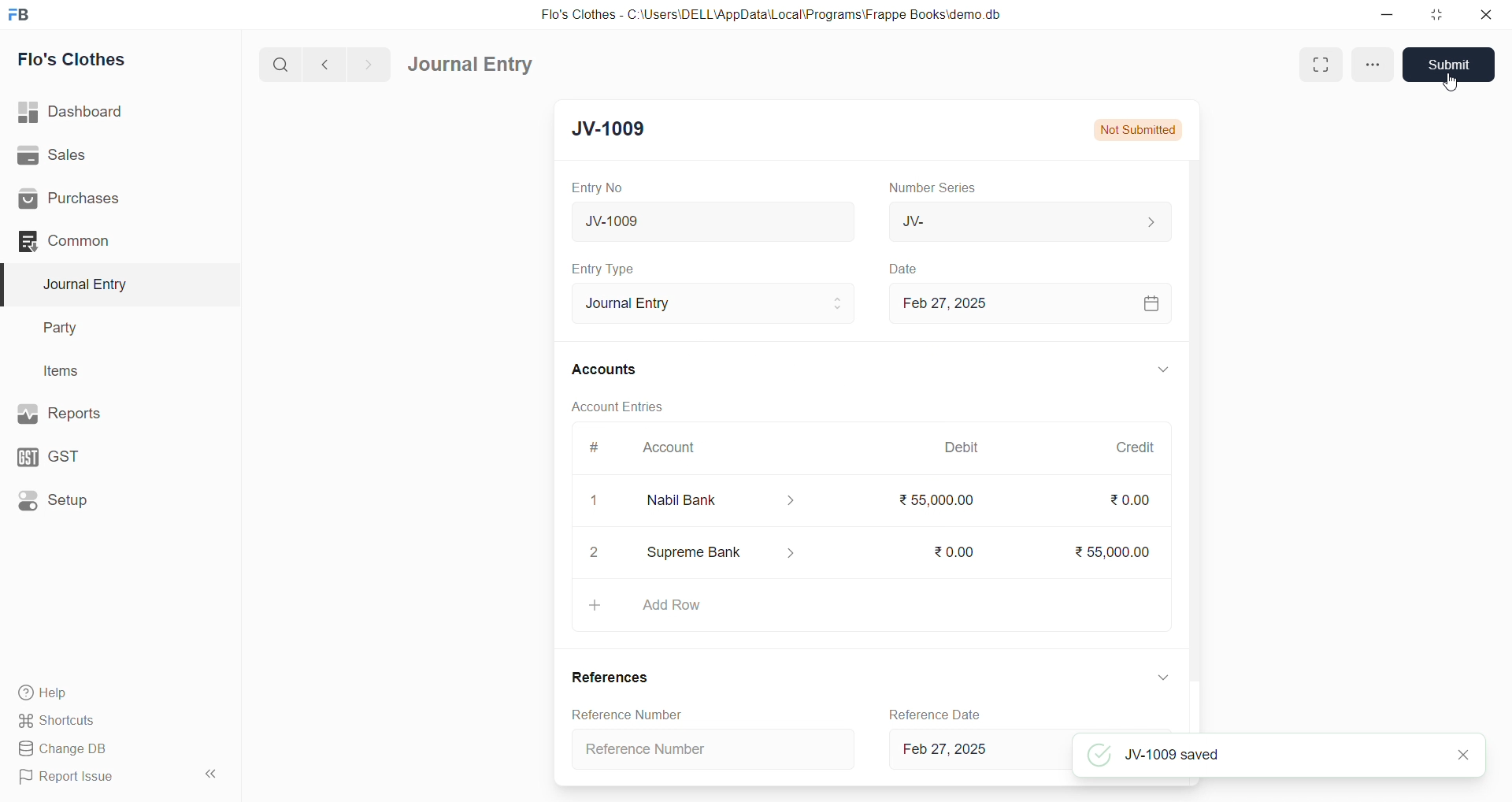 The image size is (1512, 802). What do you see at coordinates (1162, 369) in the screenshot?
I see `EXPAND/COLLAPSE` at bounding box center [1162, 369].